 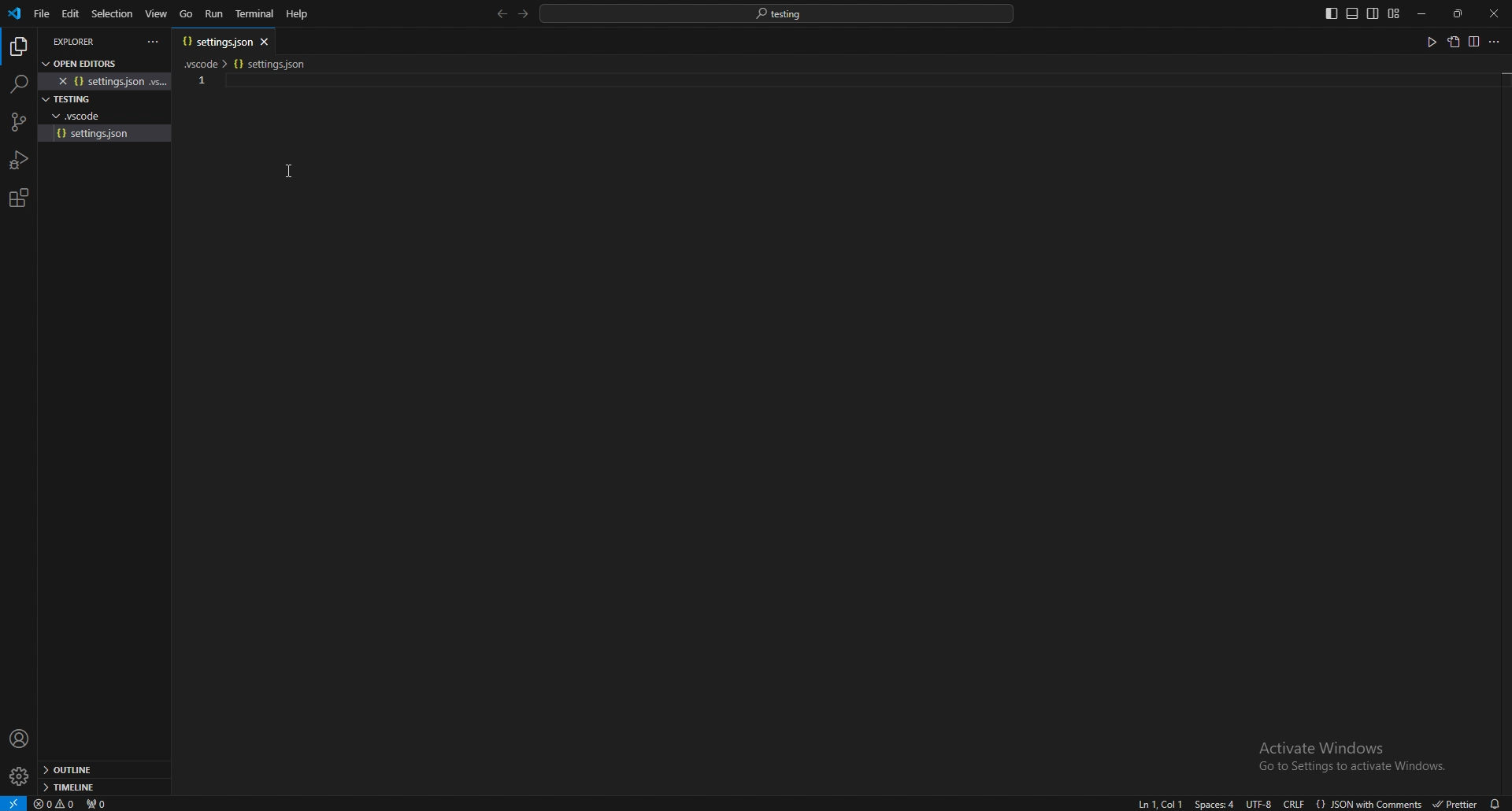 I want to click on source code, so click(x=17, y=123).